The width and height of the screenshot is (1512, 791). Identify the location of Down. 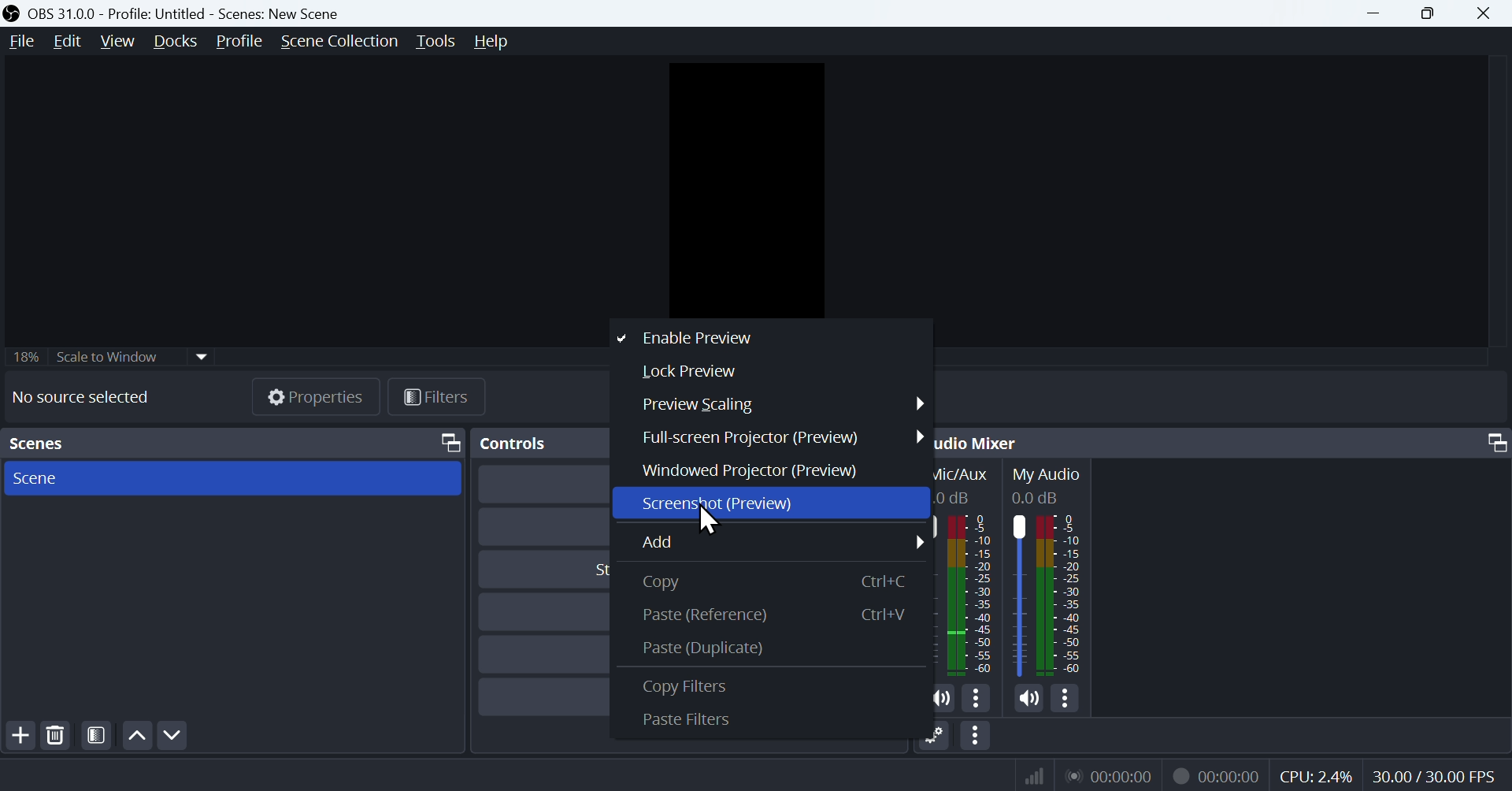
(171, 733).